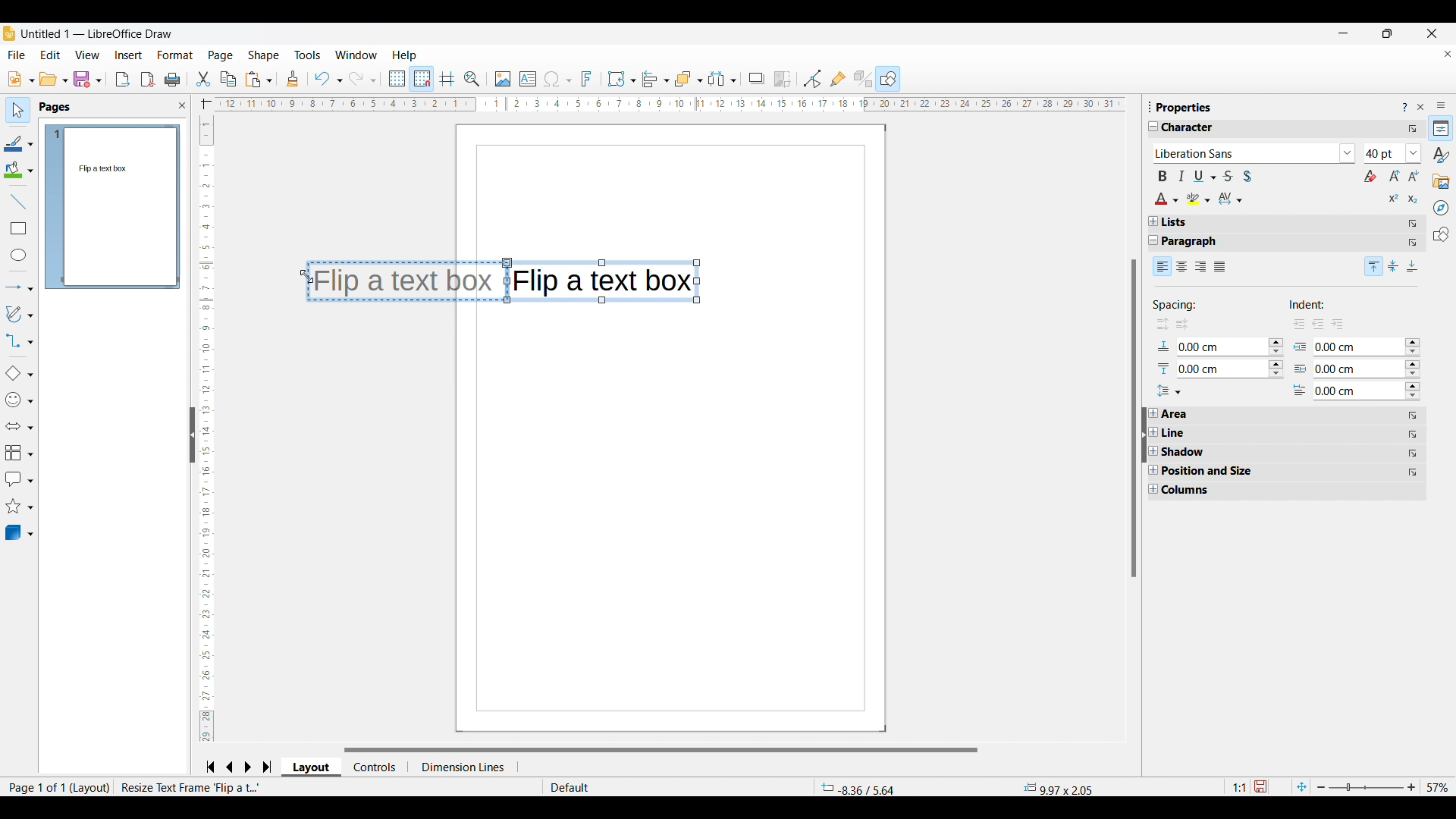 The image size is (1456, 819). Describe the element at coordinates (1395, 198) in the screenshot. I see `Super script ` at that location.